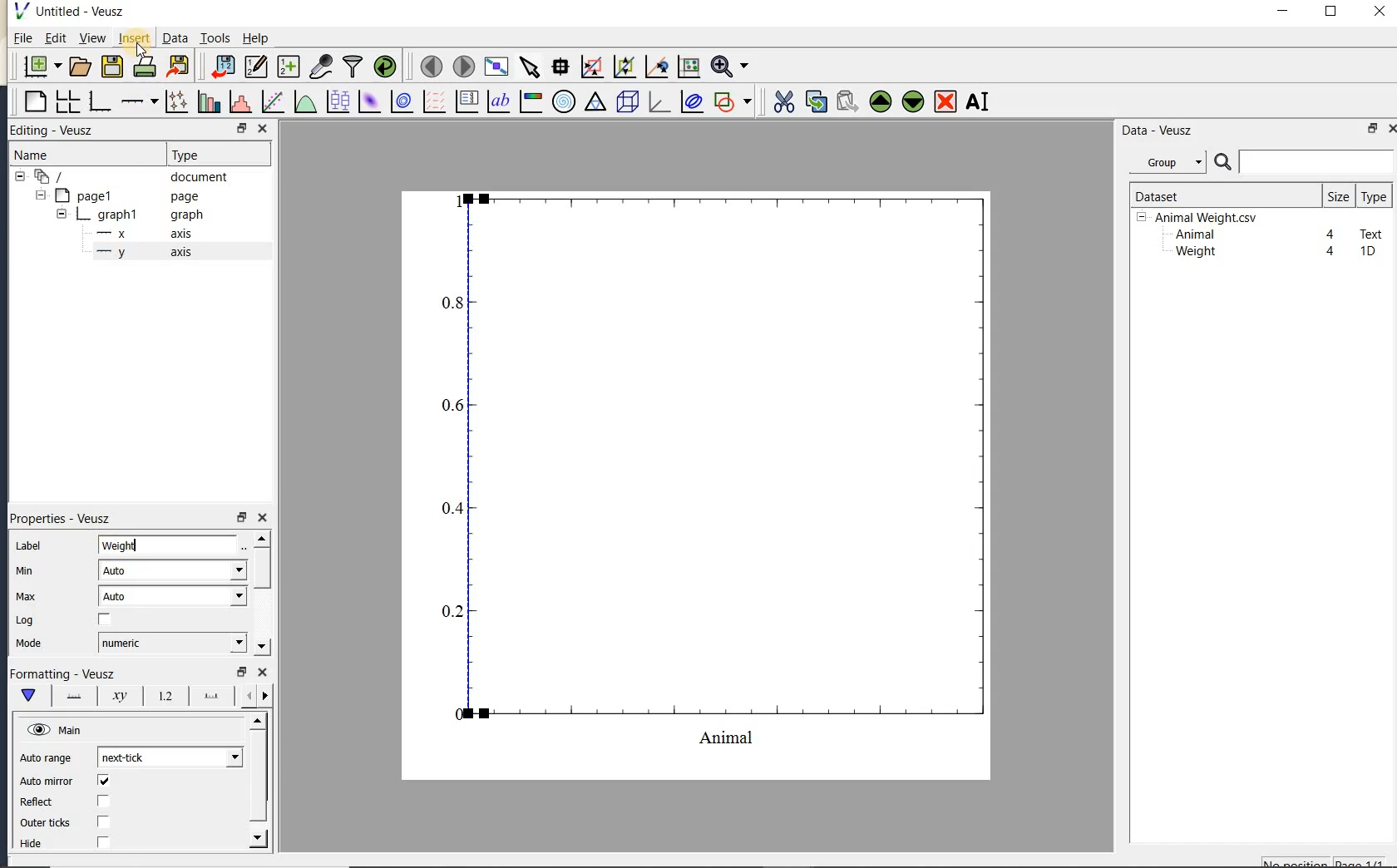 The width and height of the screenshot is (1397, 868). What do you see at coordinates (239, 101) in the screenshot?
I see `histogram of a dataset` at bounding box center [239, 101].